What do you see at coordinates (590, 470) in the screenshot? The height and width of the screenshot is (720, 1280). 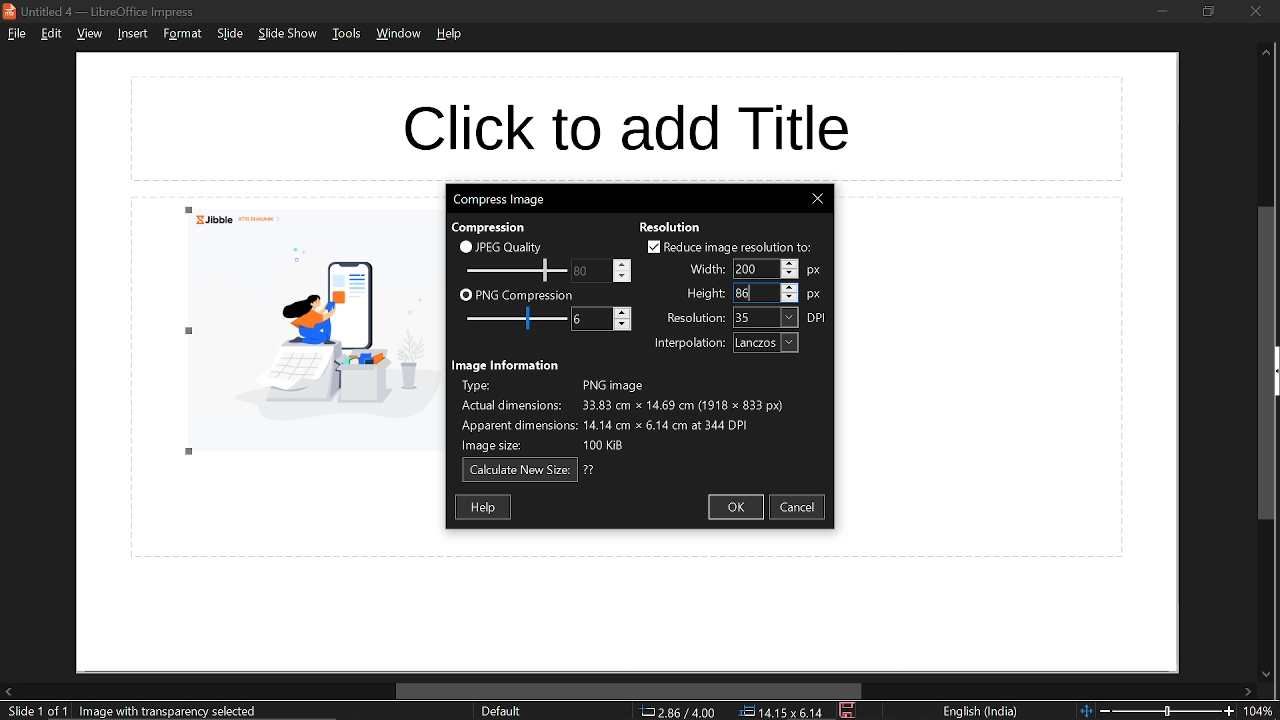 I see `question mark` at bounding box center [590, 470].